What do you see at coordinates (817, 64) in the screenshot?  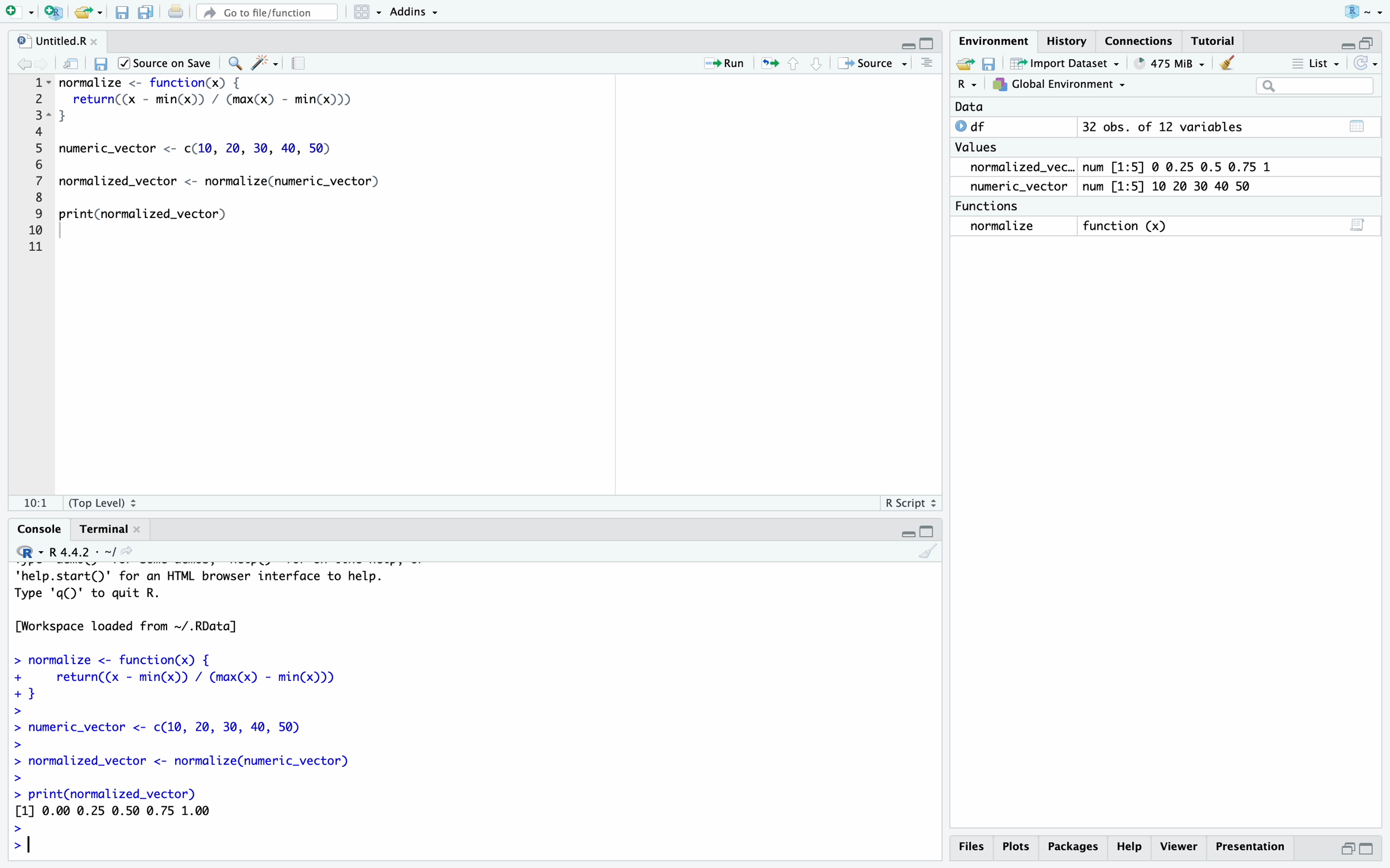 I see `Go to next section/chunk (Ctrl + pgDn)` at bounding box center [817, 64].